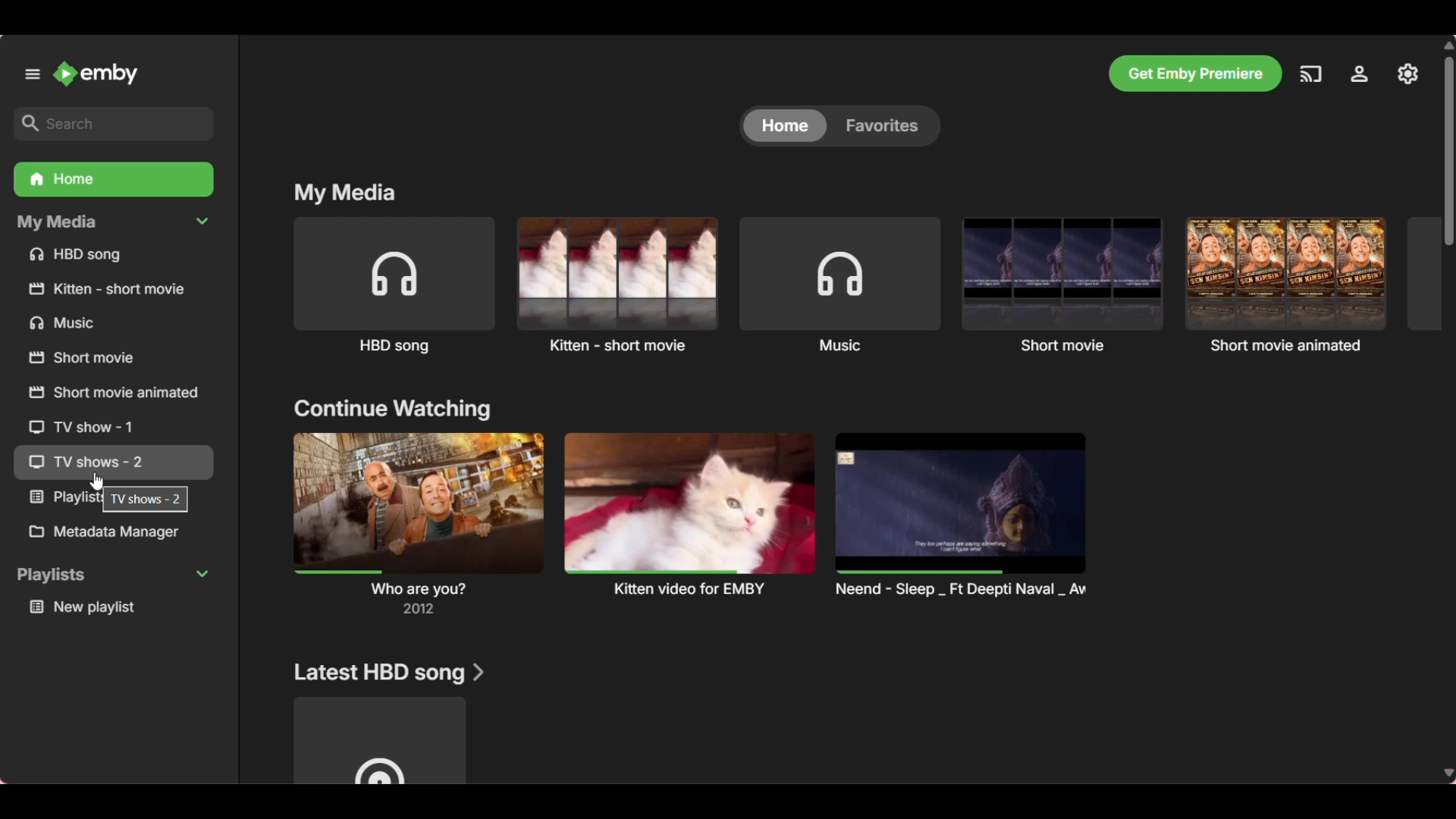 This screenshot has height=819, width=1456. What do you see at coordinates (686, 521) in the screenshot?
I see `` at bounding box center [686, 521].